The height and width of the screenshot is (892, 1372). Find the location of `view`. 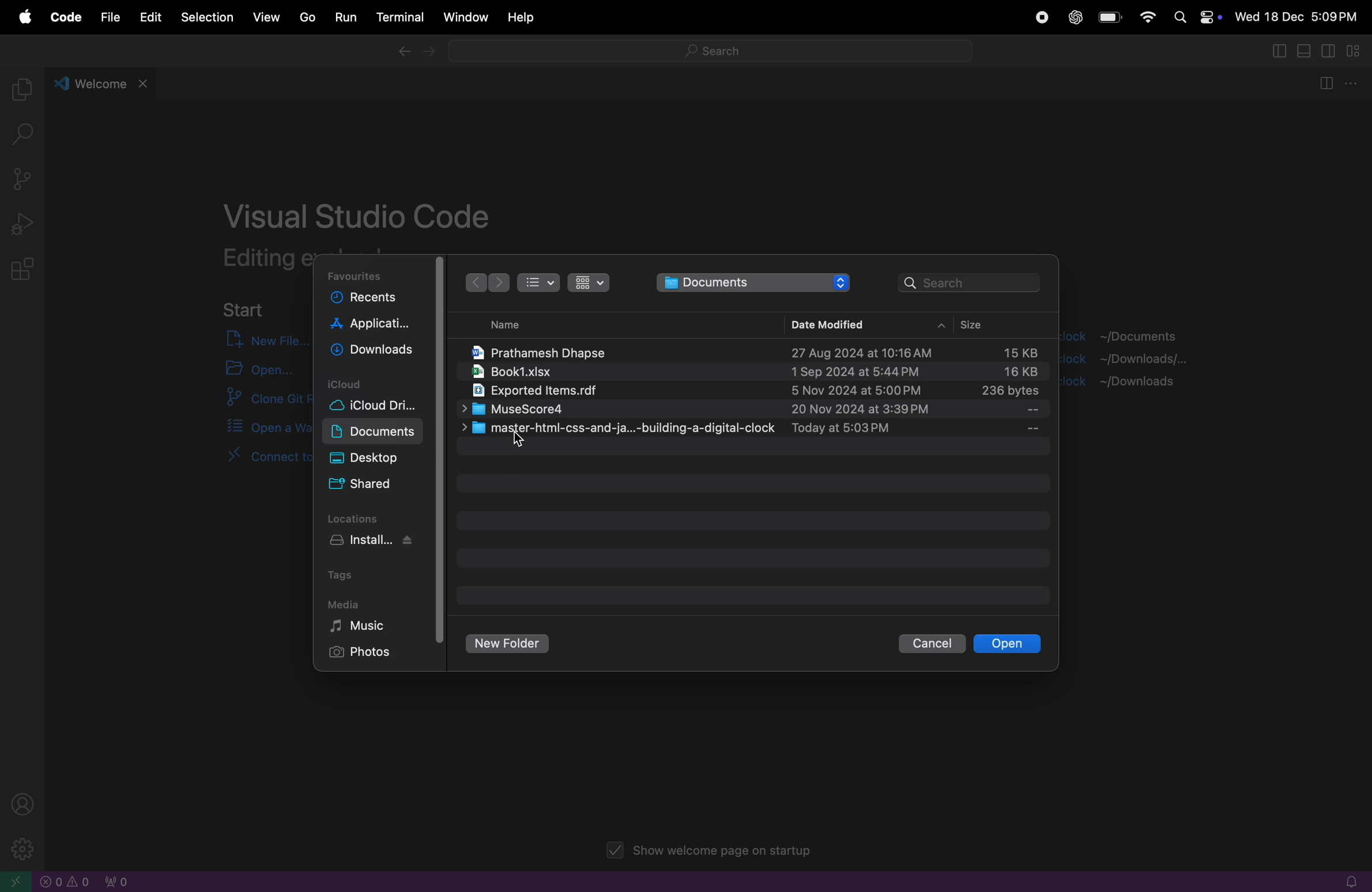

view is located at coordinates (267, 16).